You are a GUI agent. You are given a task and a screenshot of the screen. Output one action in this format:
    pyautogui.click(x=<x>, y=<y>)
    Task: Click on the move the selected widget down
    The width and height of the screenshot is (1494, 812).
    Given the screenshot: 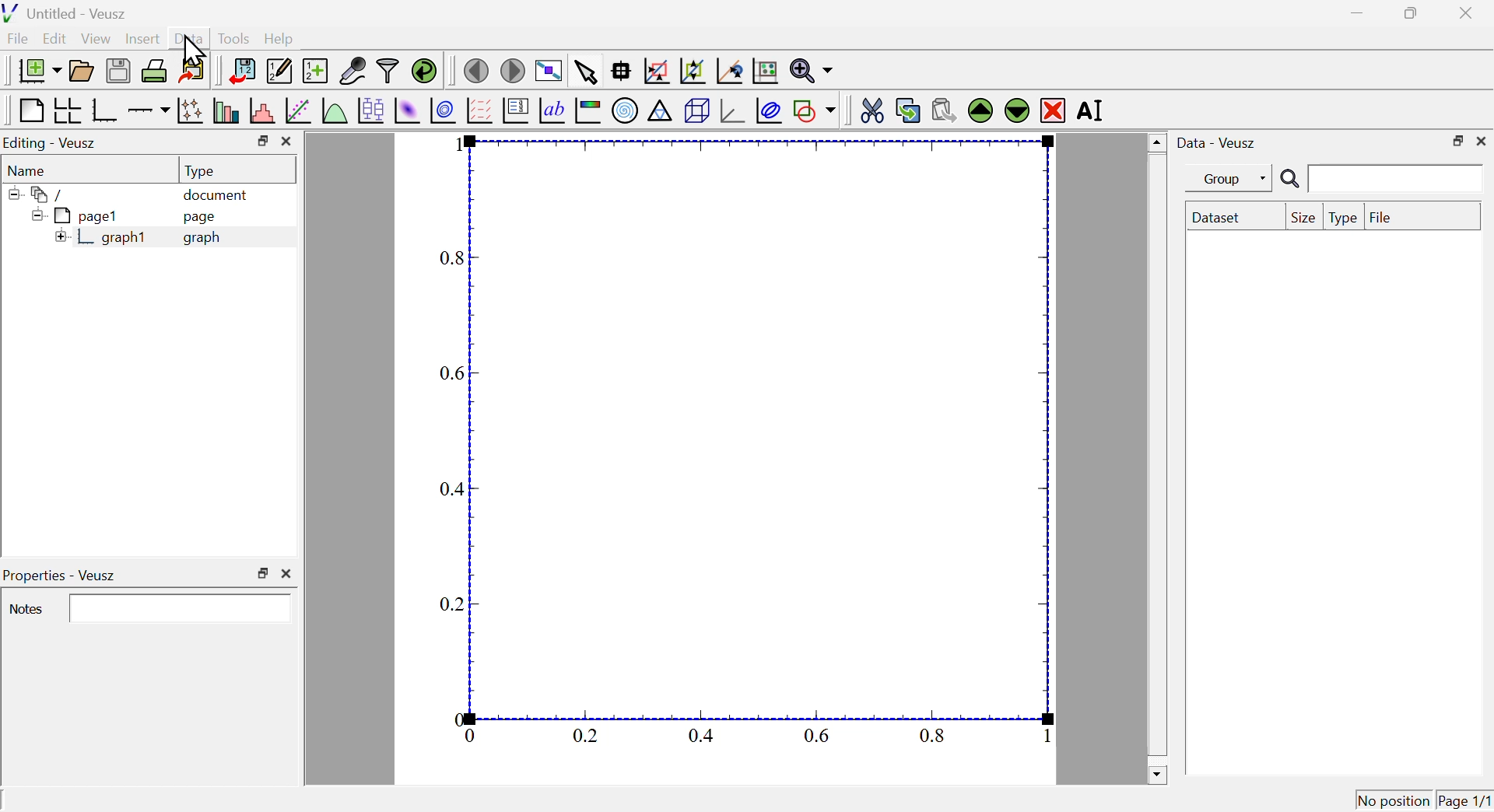 What is the action you would take?
    pyautogui.click(x=1015, y=110)
    